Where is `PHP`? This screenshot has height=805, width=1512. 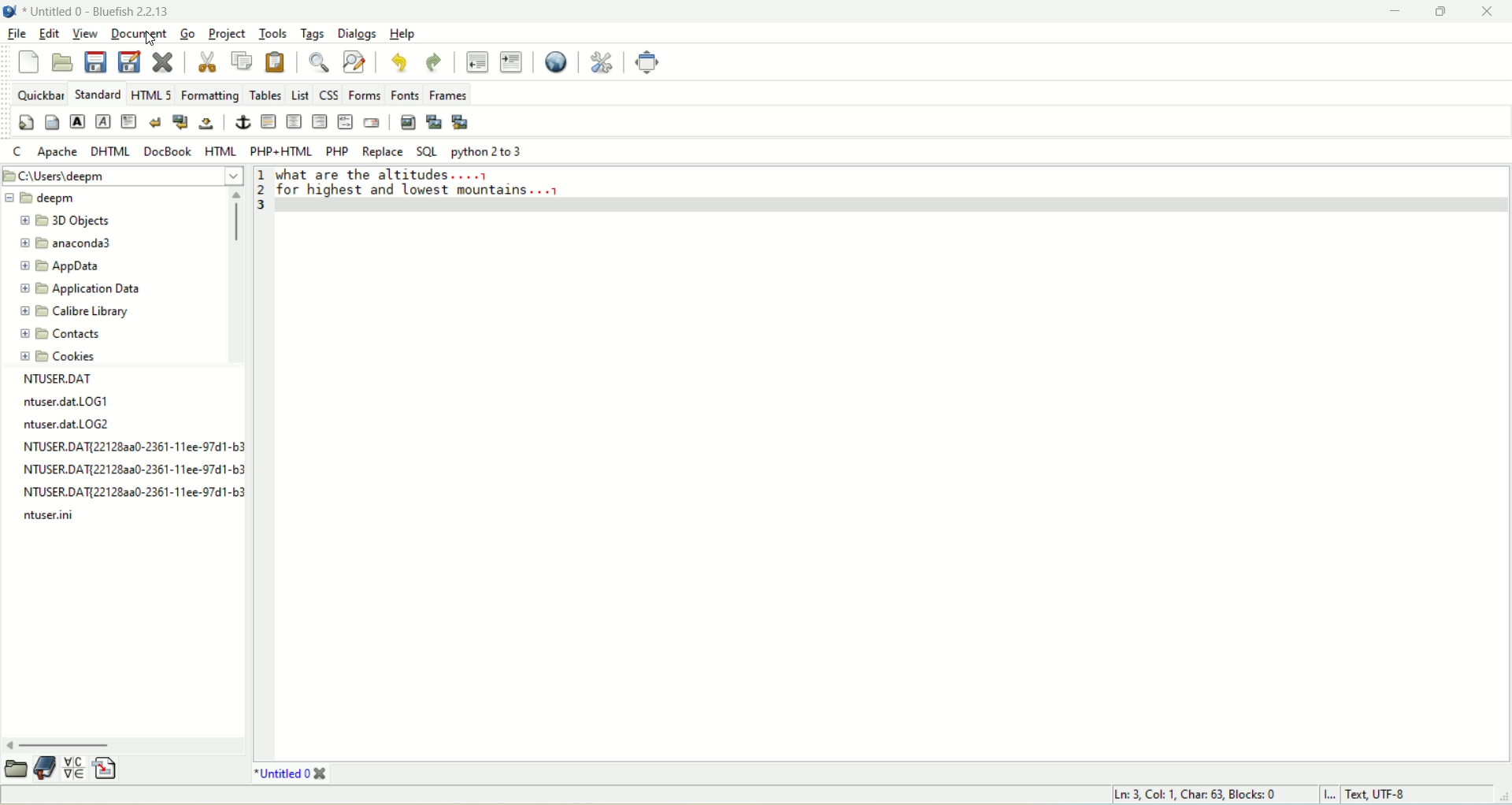 PHP is located at coordinates (336, 150).